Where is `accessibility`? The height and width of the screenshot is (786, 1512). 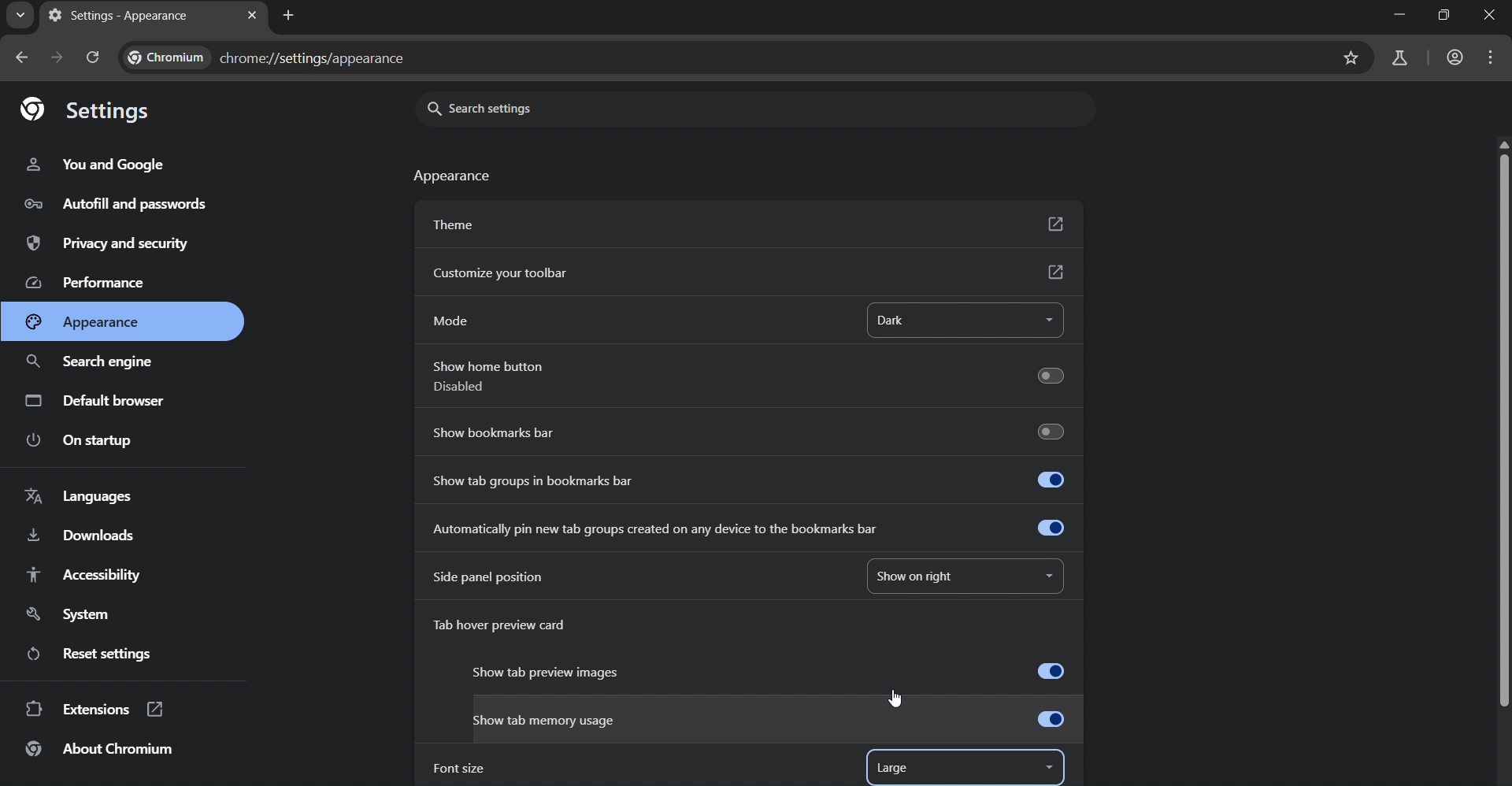
accessibility is located at coordinates (100, 578).